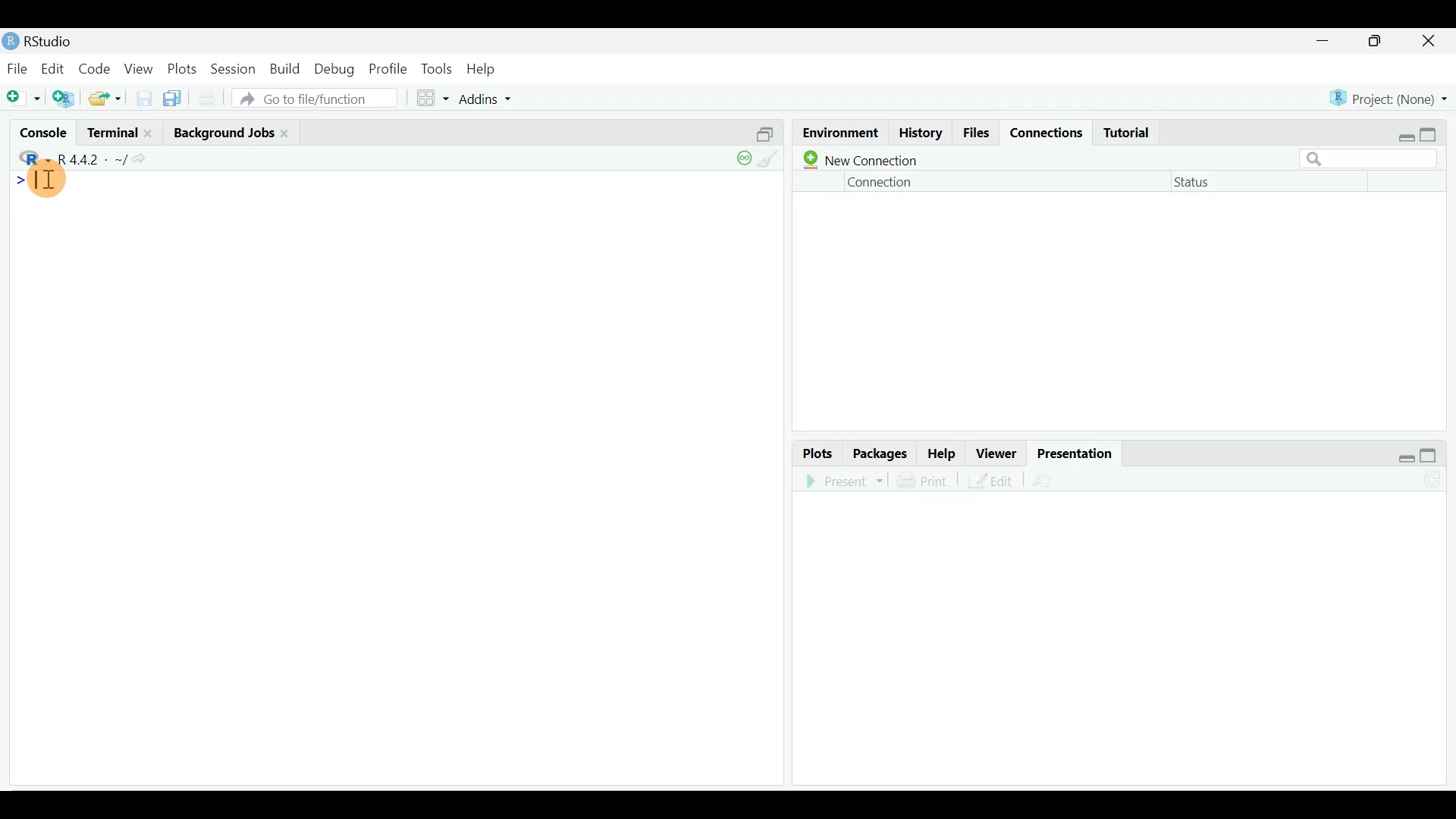 Image resolution: width=1456 pixels, height=819 pixels. Describe the element at coordinates (45, 135) in the screenshot. I see `Console` at that location.